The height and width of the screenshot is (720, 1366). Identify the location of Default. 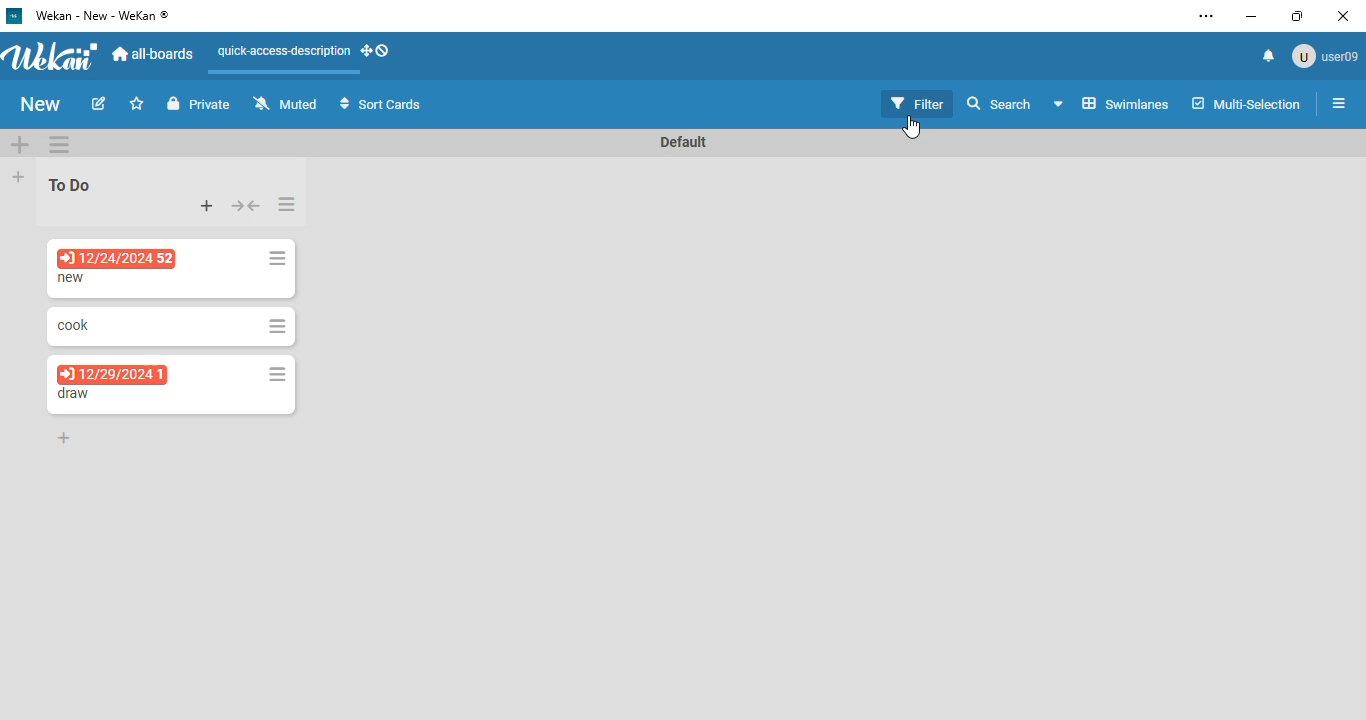
(682, 143).